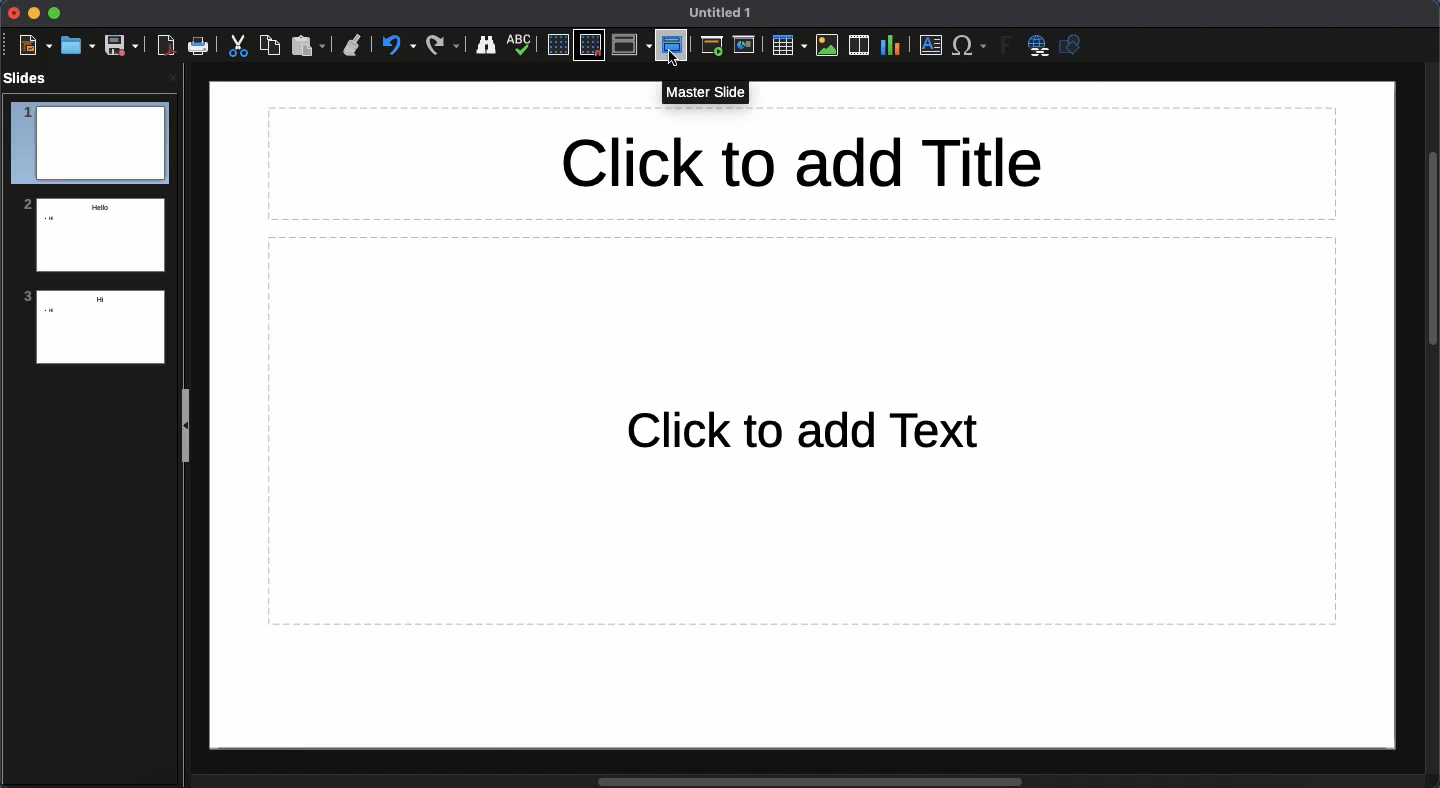 This screenshot has height=788, width=1440. Describe the element at coordinates (858, 47) in the screenshot. I see `Audio or video` at that location.